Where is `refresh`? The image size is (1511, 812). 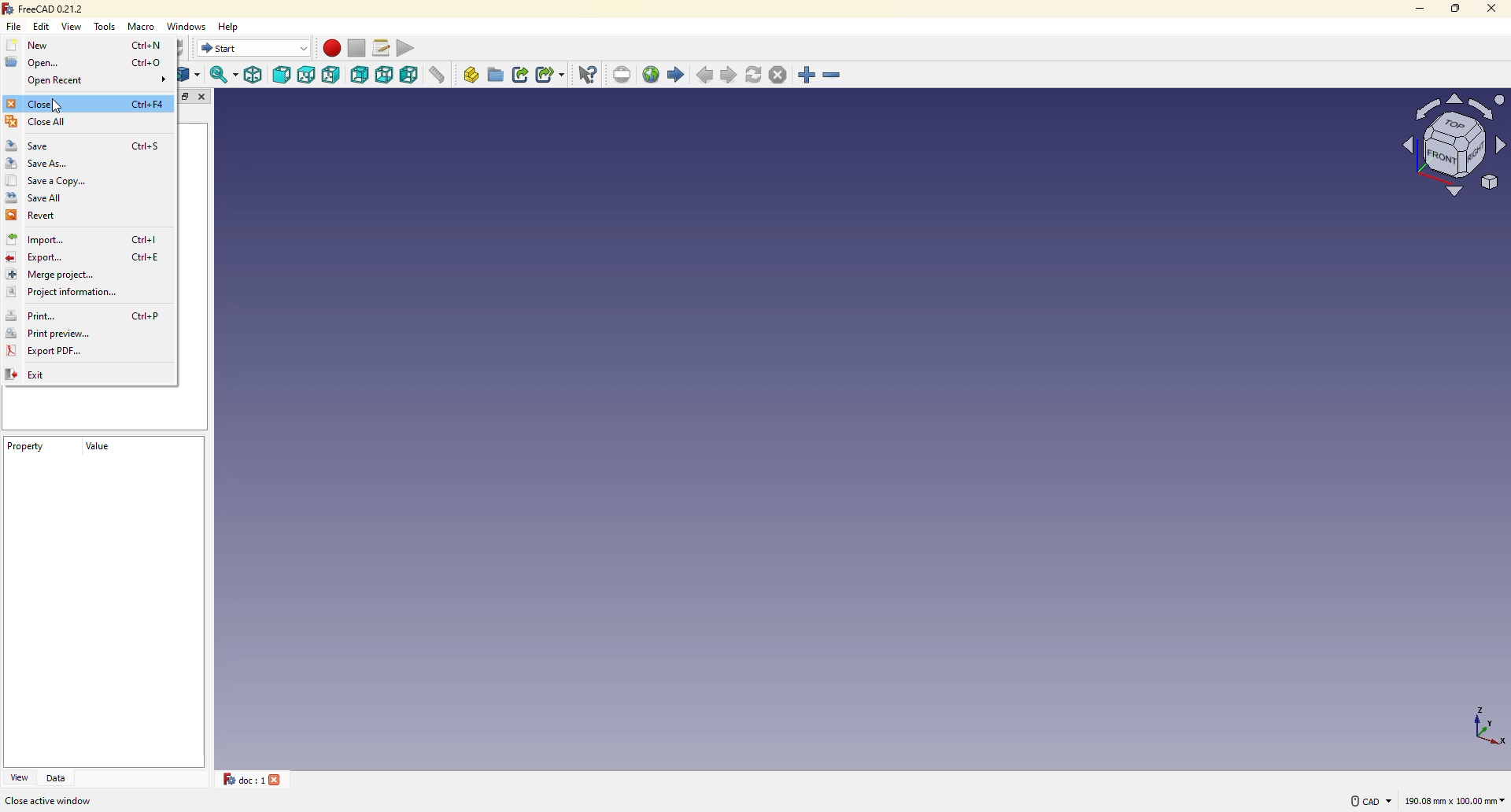 refresh is located at coordinates (755, 74).